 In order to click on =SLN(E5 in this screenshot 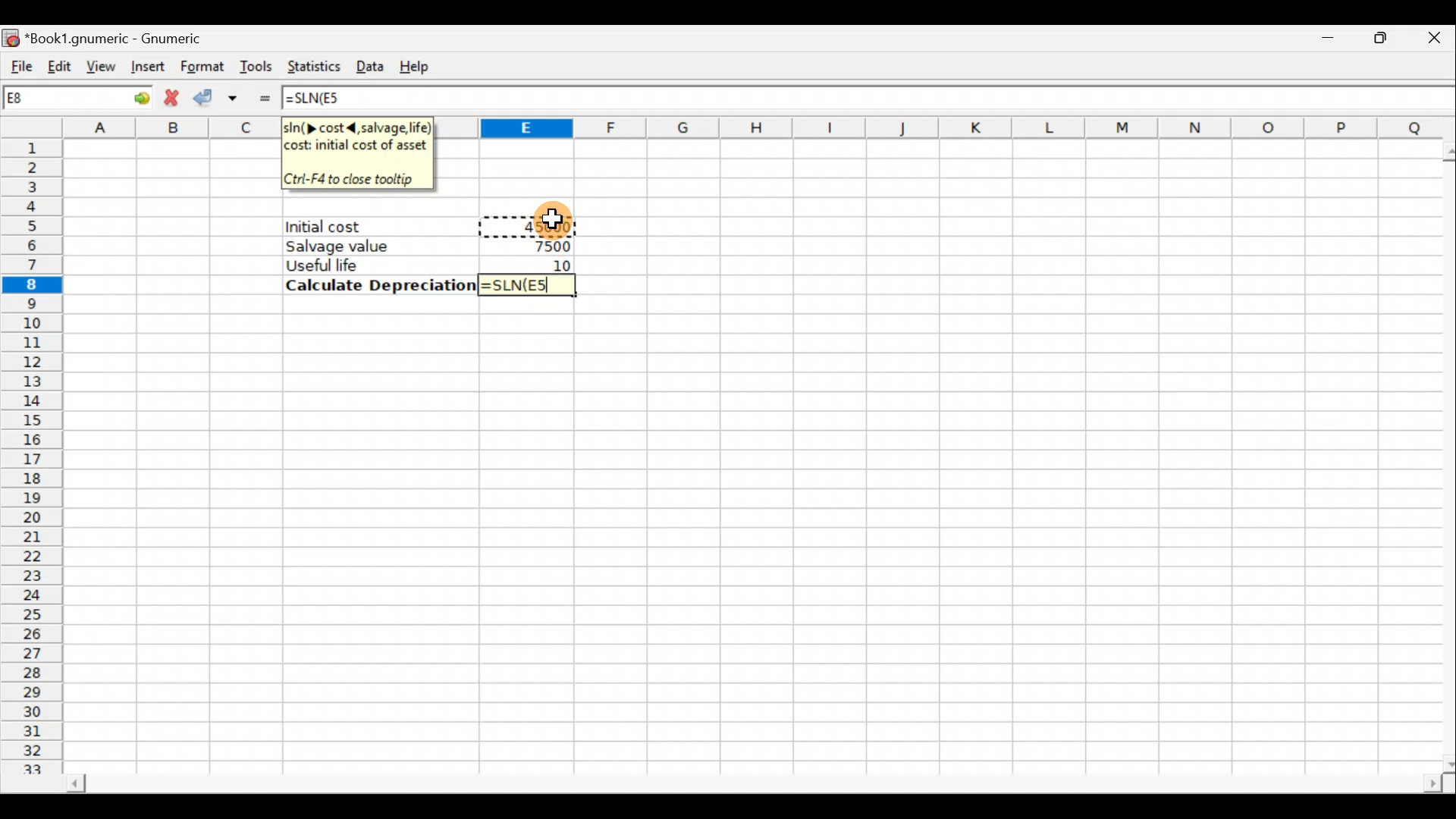, I will do `click(322, 101)`.